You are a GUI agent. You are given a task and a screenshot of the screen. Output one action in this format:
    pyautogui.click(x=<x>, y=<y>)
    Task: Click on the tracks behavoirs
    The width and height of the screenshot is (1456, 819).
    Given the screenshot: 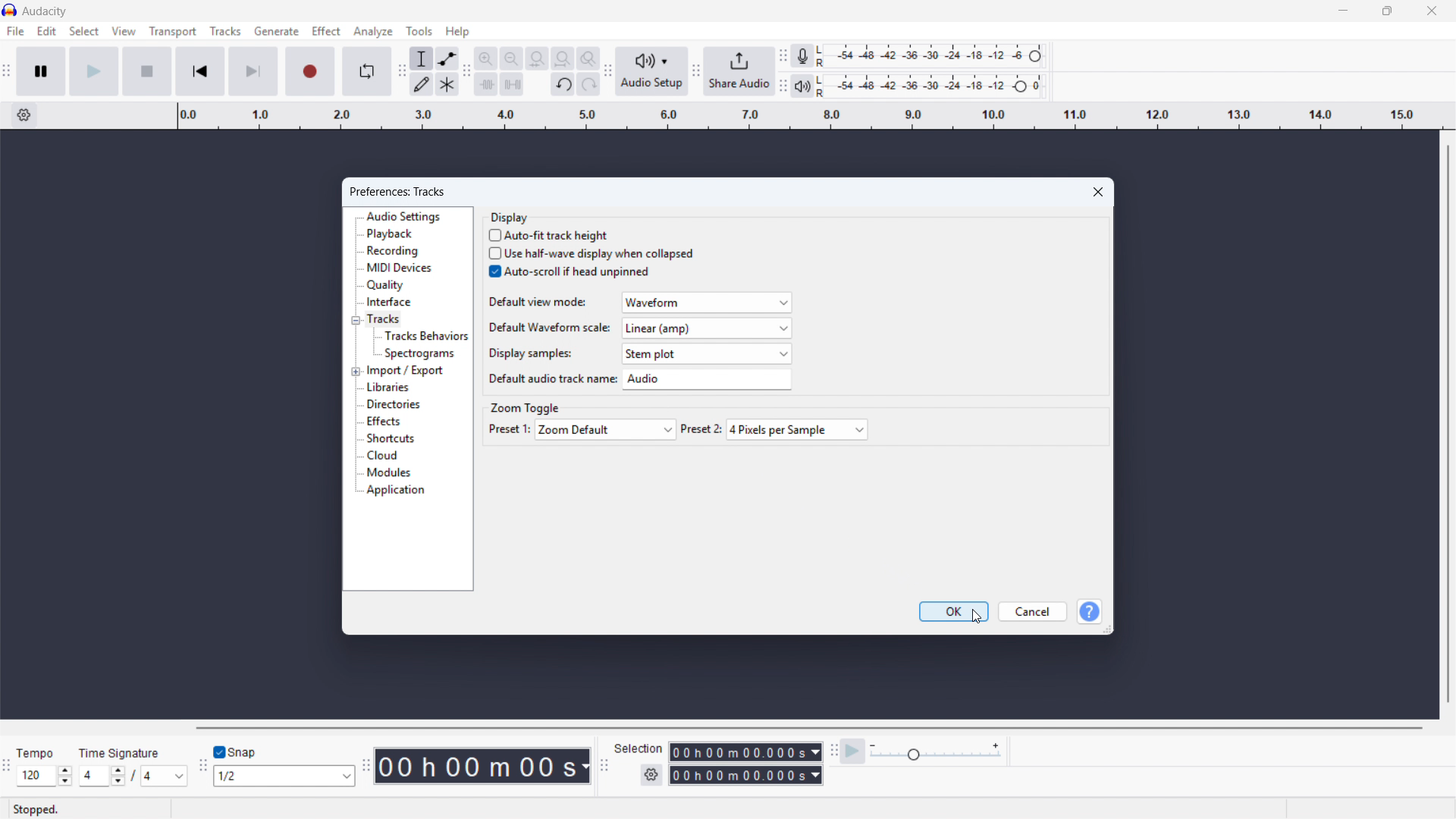 What is the action you would take?
    pyautogui.click(x=425, y=335)
    